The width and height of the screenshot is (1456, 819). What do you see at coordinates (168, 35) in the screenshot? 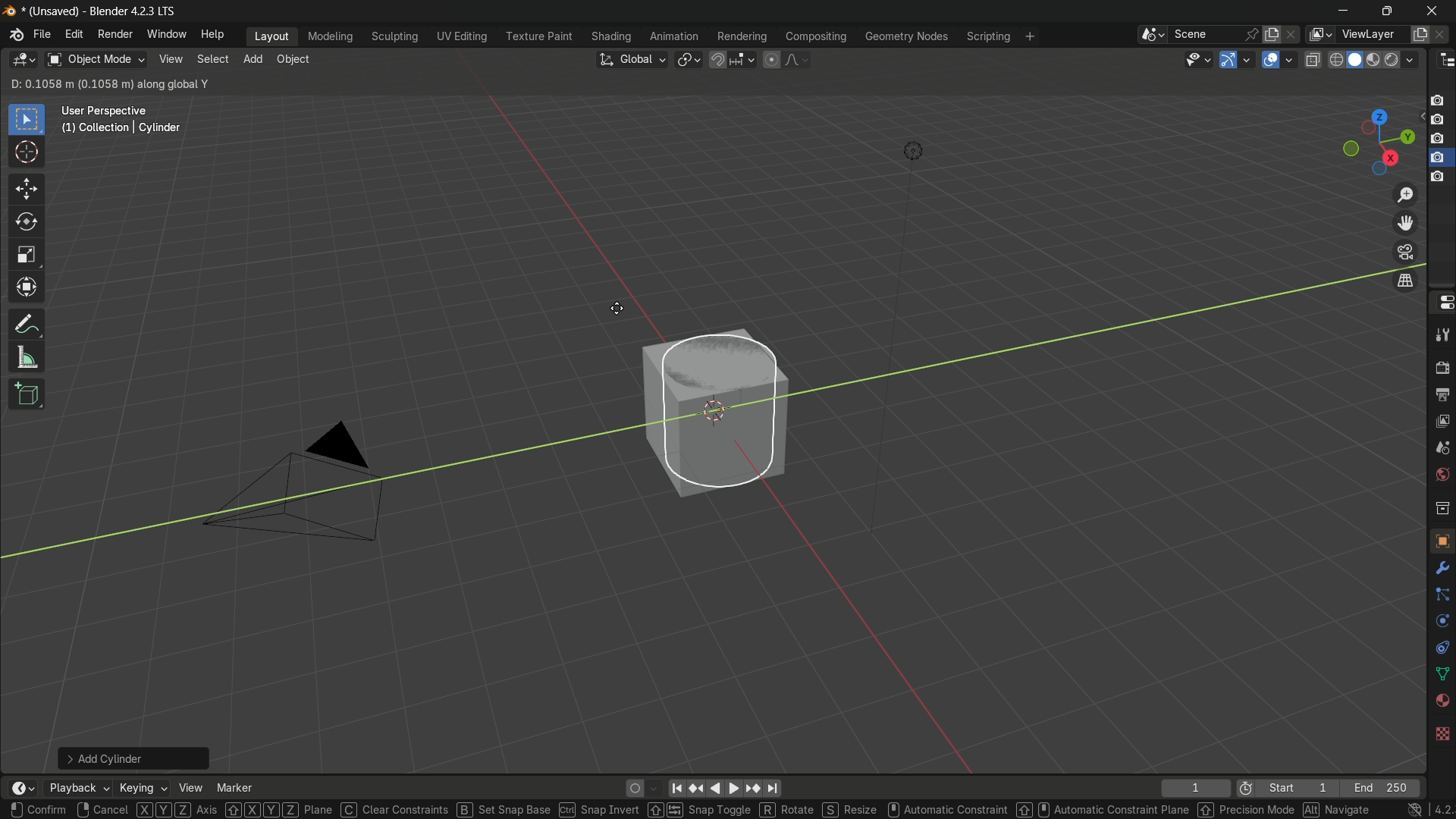
I see `window menu` at bounding box center [168, 35].